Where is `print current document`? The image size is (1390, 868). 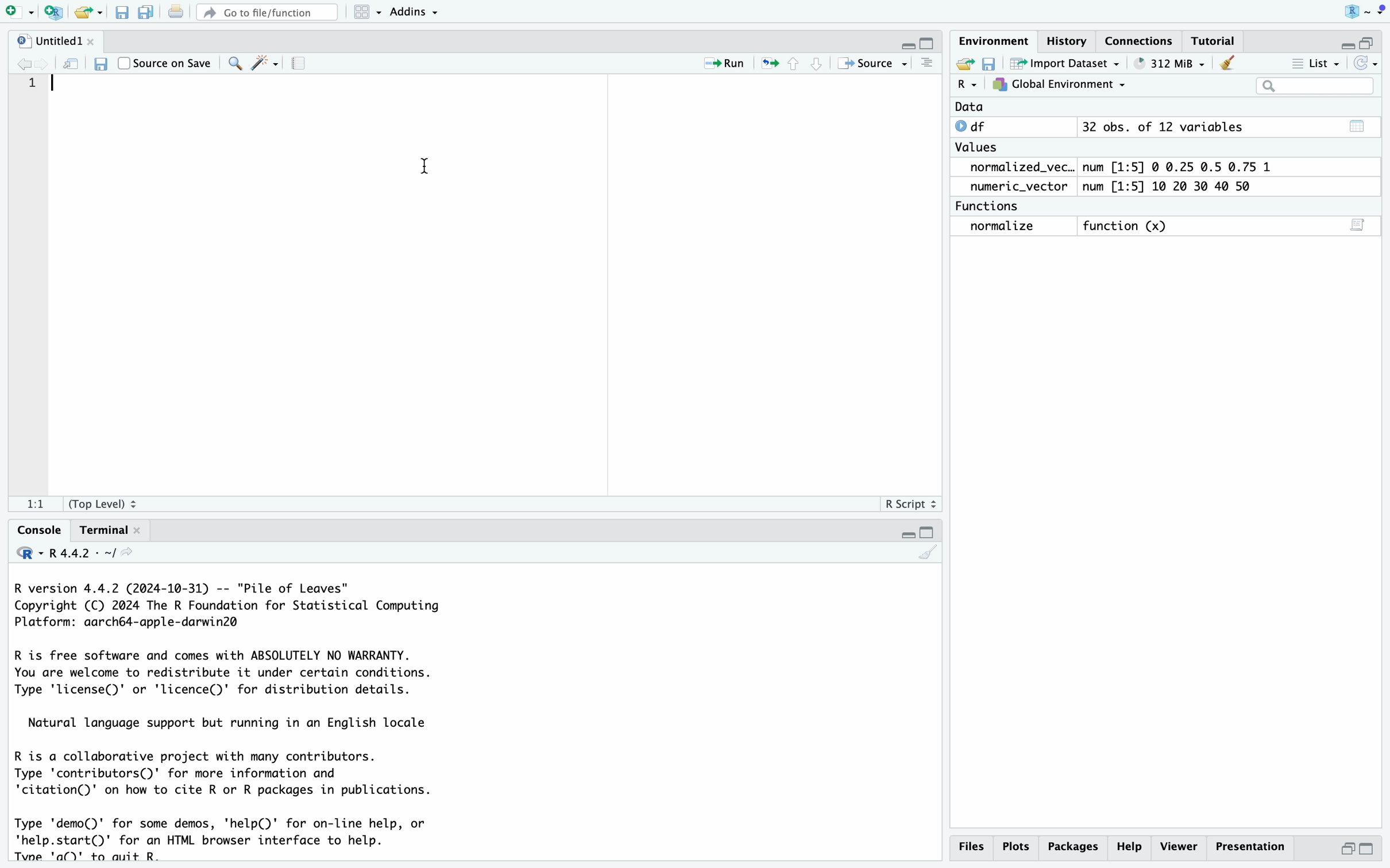
print current document is located at coordinates (180, 14).